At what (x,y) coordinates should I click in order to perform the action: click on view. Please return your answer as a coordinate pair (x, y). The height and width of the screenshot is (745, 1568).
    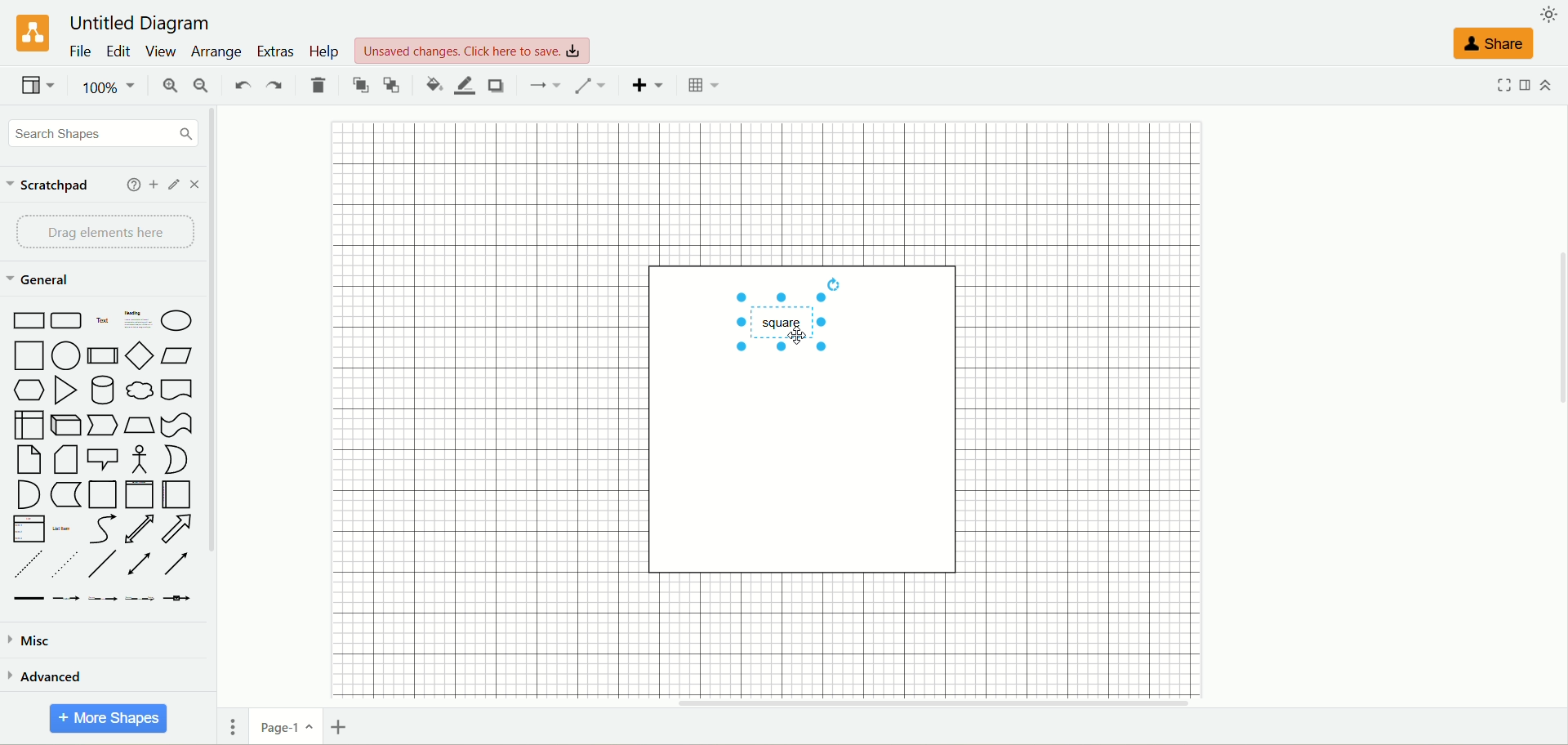
    Looking at the image, I should click on (38, 87).